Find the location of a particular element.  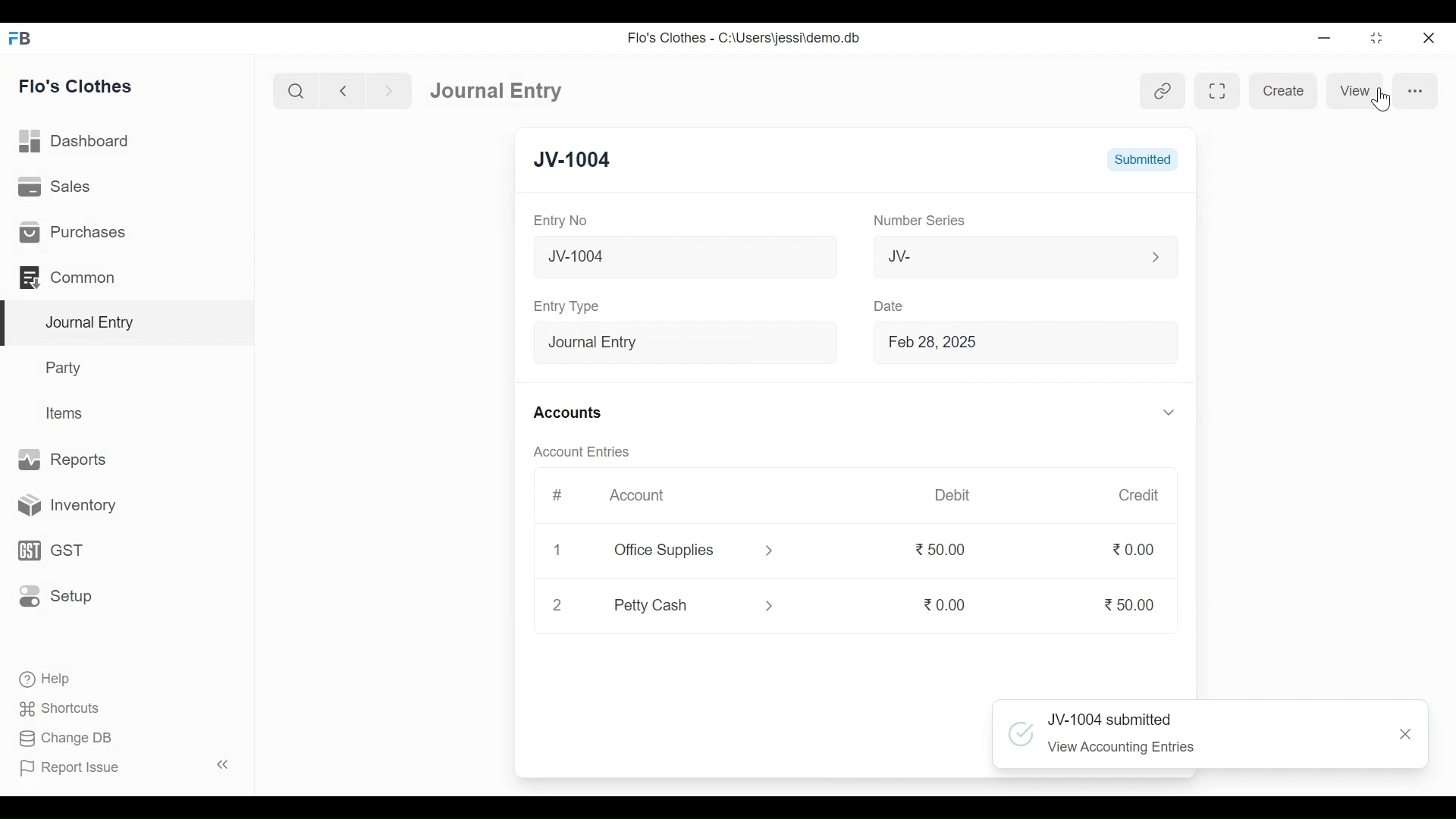

Restore is located at coordinates (1376, 38).